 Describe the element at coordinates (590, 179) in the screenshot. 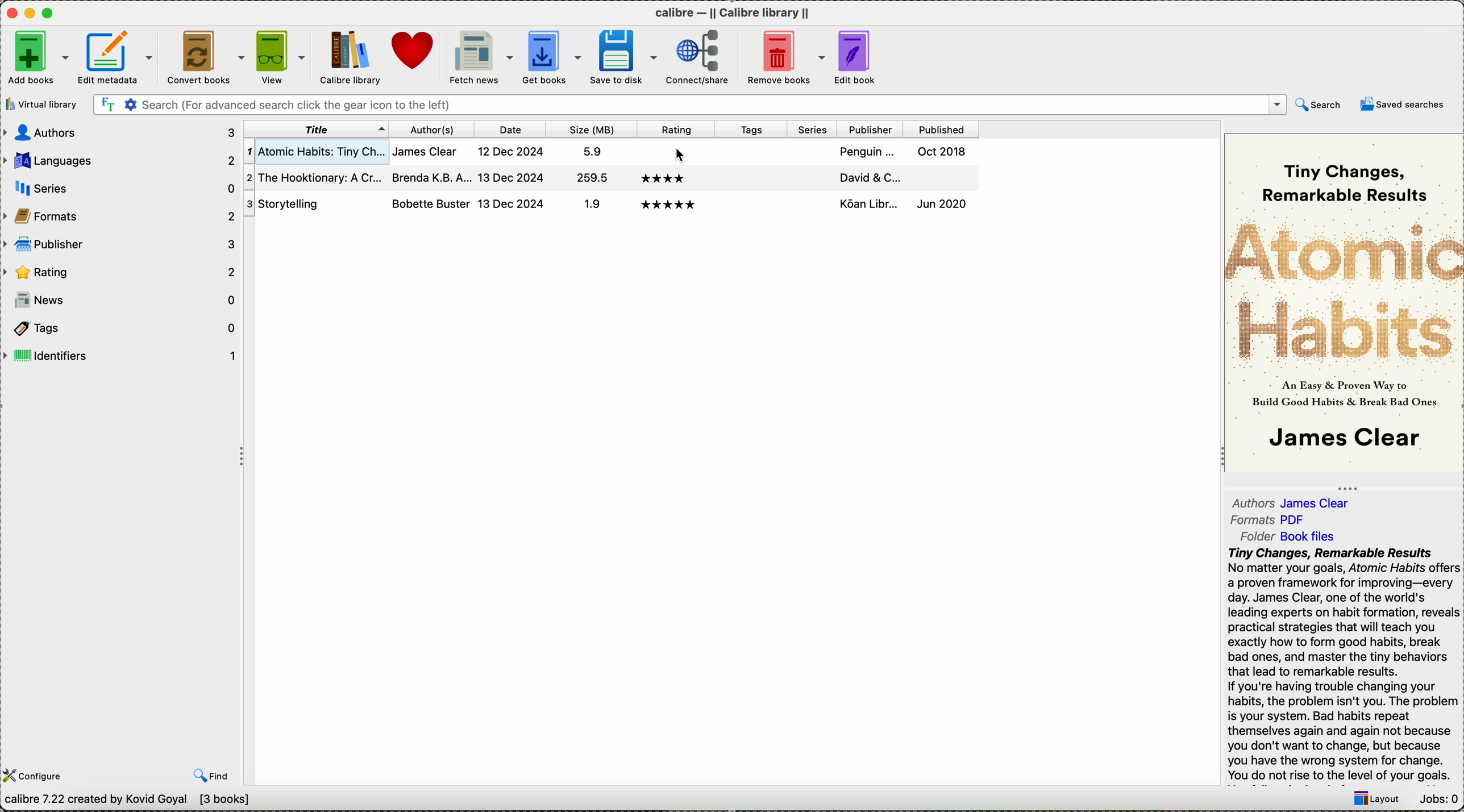

I see `259.5` at that location.